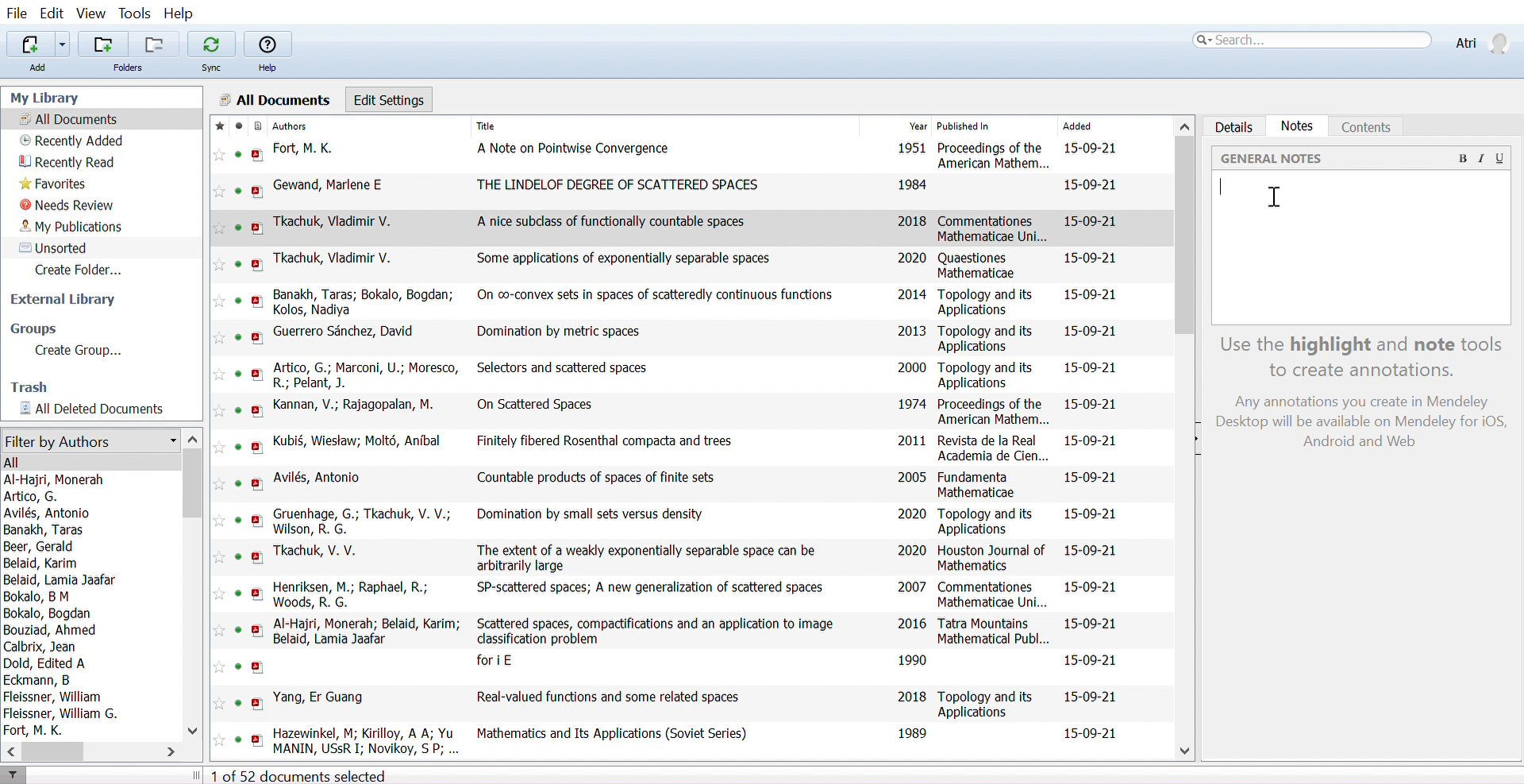 Image resolution: width=1524 pixels, height=784 pixels. What do you see at coordinates (390, 98) in the screenshot?
I see `Edit settings` at bounding box center [390, 98].